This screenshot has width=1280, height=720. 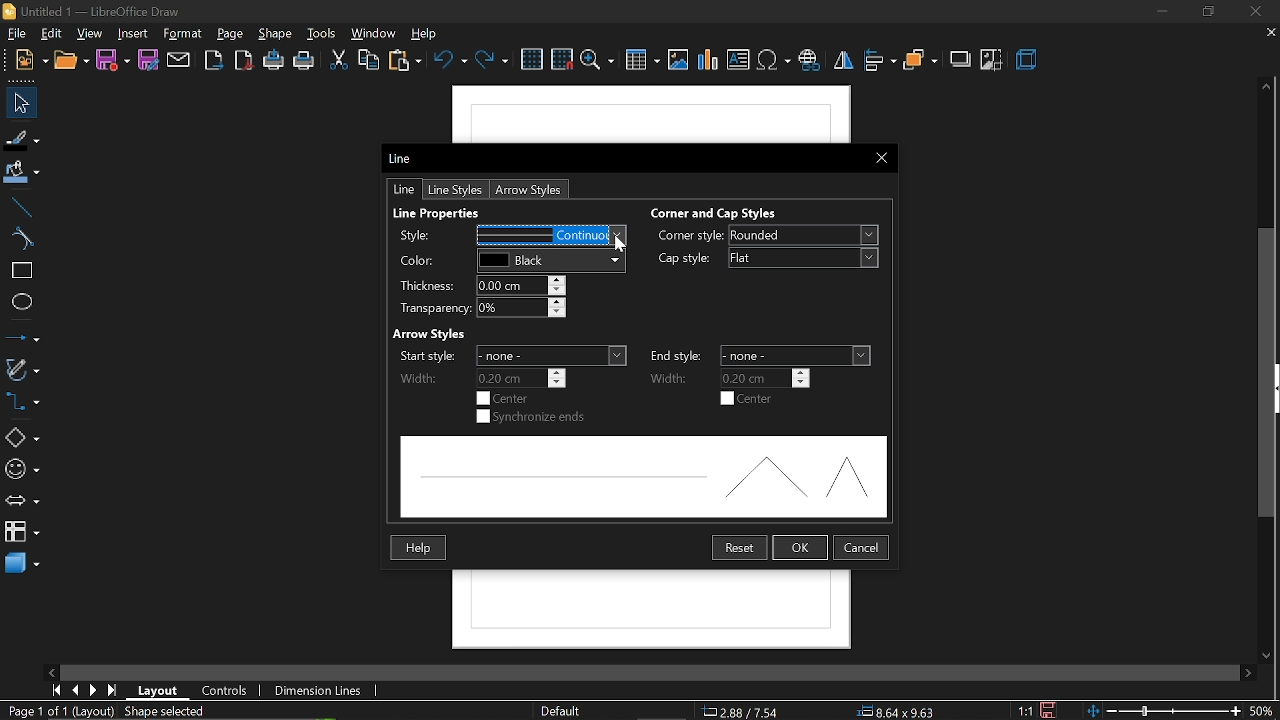 I want to click on undo, so click(x=450, y=61).